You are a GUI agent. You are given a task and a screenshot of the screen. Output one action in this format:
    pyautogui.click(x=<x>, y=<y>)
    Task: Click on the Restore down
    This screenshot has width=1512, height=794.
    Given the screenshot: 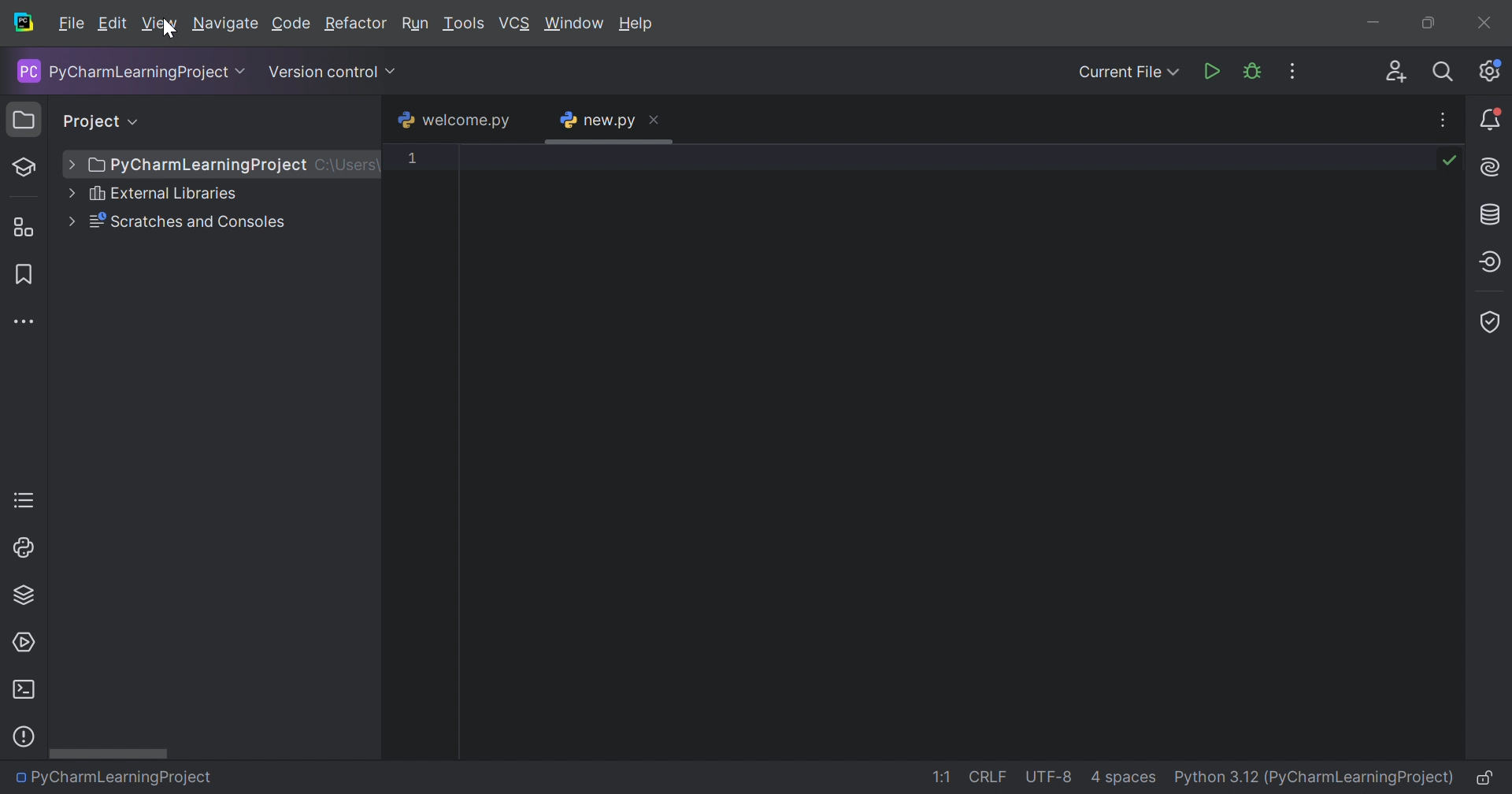 What is the action you would take?
    pyautogui.click(x=1431, y=24)
    